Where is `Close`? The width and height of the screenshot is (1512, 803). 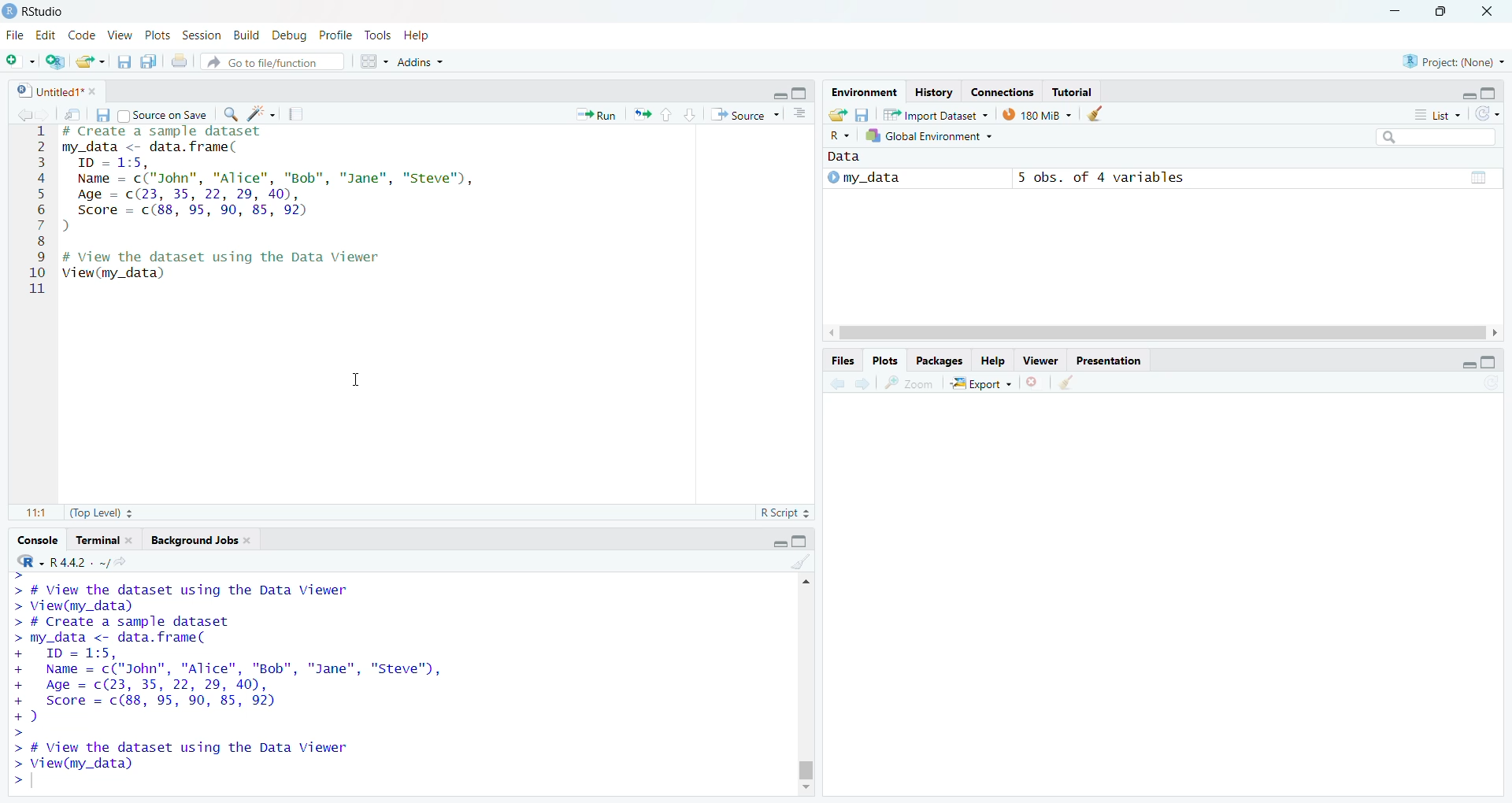 Close is located at coordinates (1485, 12).